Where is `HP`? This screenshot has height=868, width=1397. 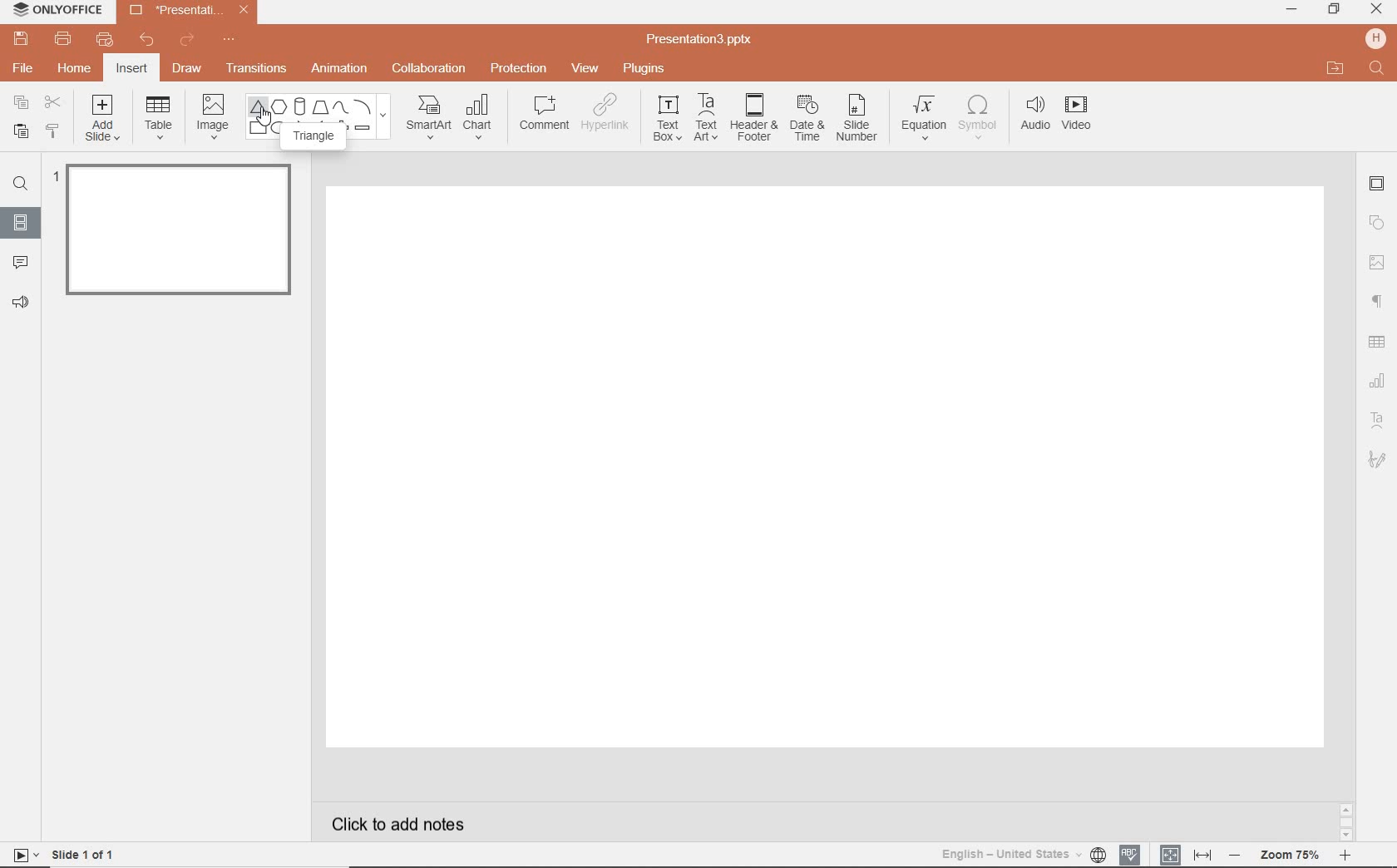
HP is located at coordinates (1377, 38).